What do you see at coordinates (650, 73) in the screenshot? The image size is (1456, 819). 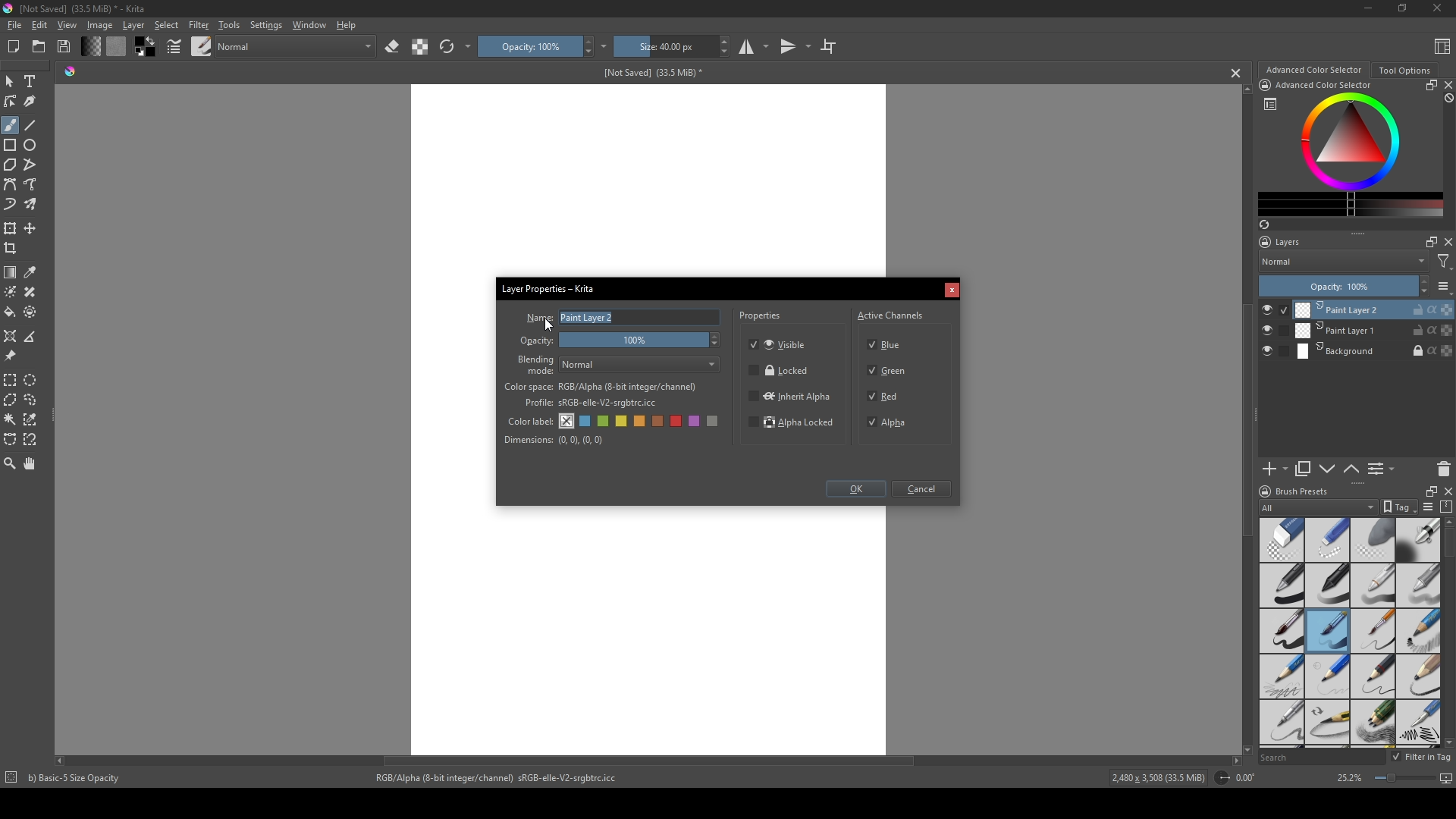 I see `[Not Saved] (33.5 MiB)` at bounding box center [650, 73].